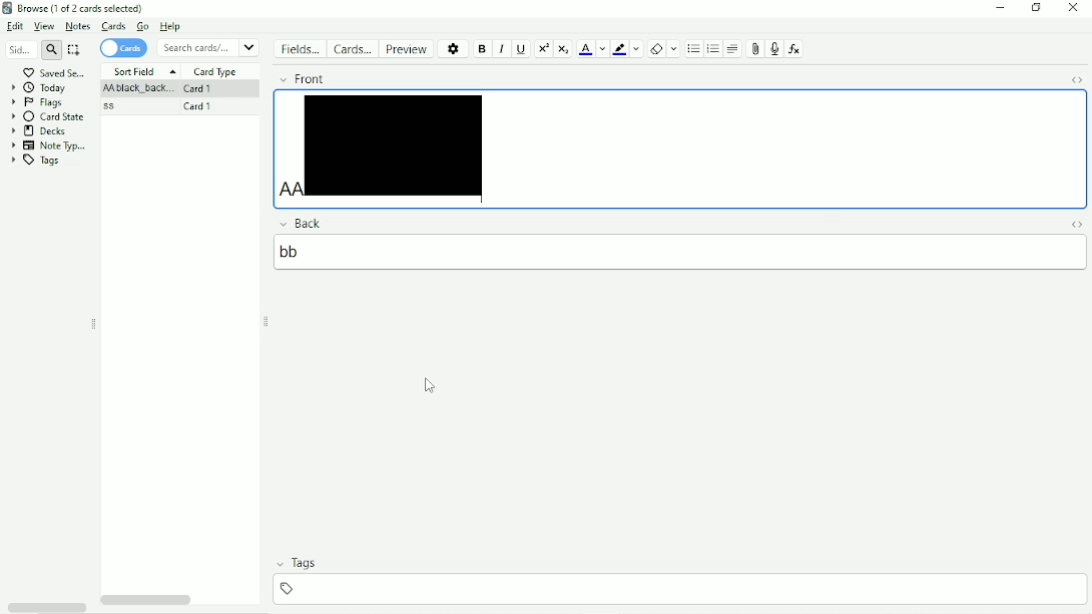 Image resolution: width=1092 pixels, height=614 pixels. What do you see at coordinates (109, 108) in the screenshot?
I see `ss` at bounding box center [109, 108].